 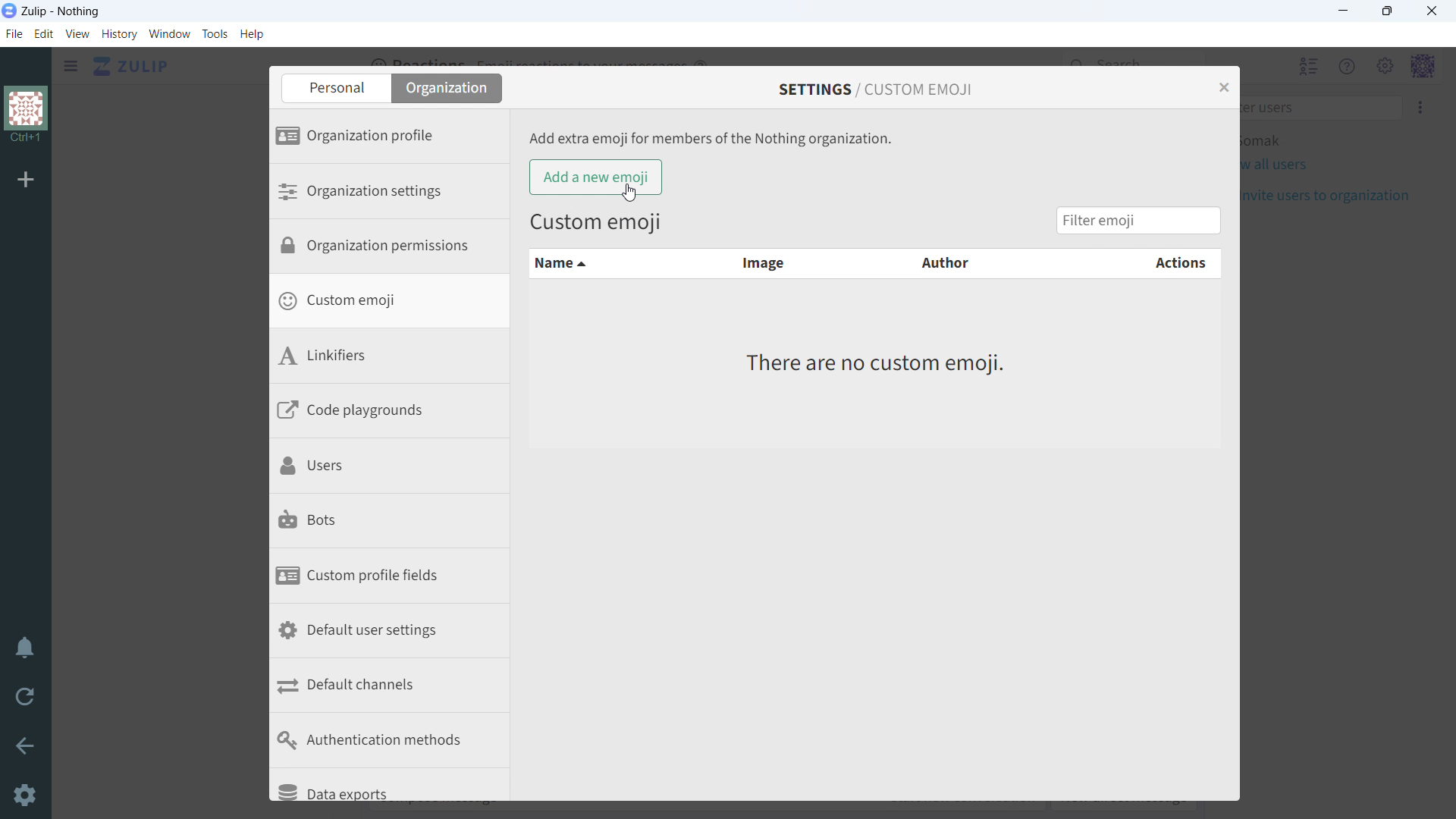 What do you see at coordinates (873, 365) in the screenshot?
I see `There are no custom emoji.` at bounding box center [873, 365].